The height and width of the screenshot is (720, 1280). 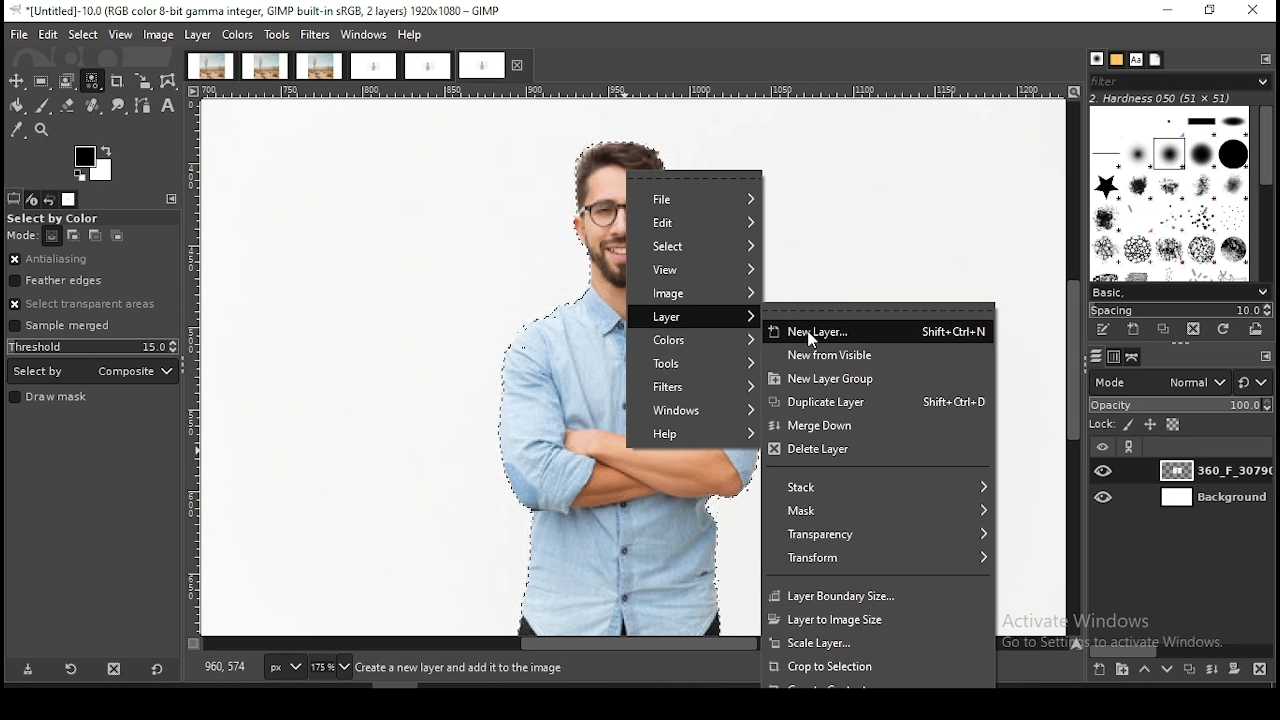 What do you see at coordinates (1264, 194) in the screenshot?
I see `scroll bar` at bounding box center [1264, 194].